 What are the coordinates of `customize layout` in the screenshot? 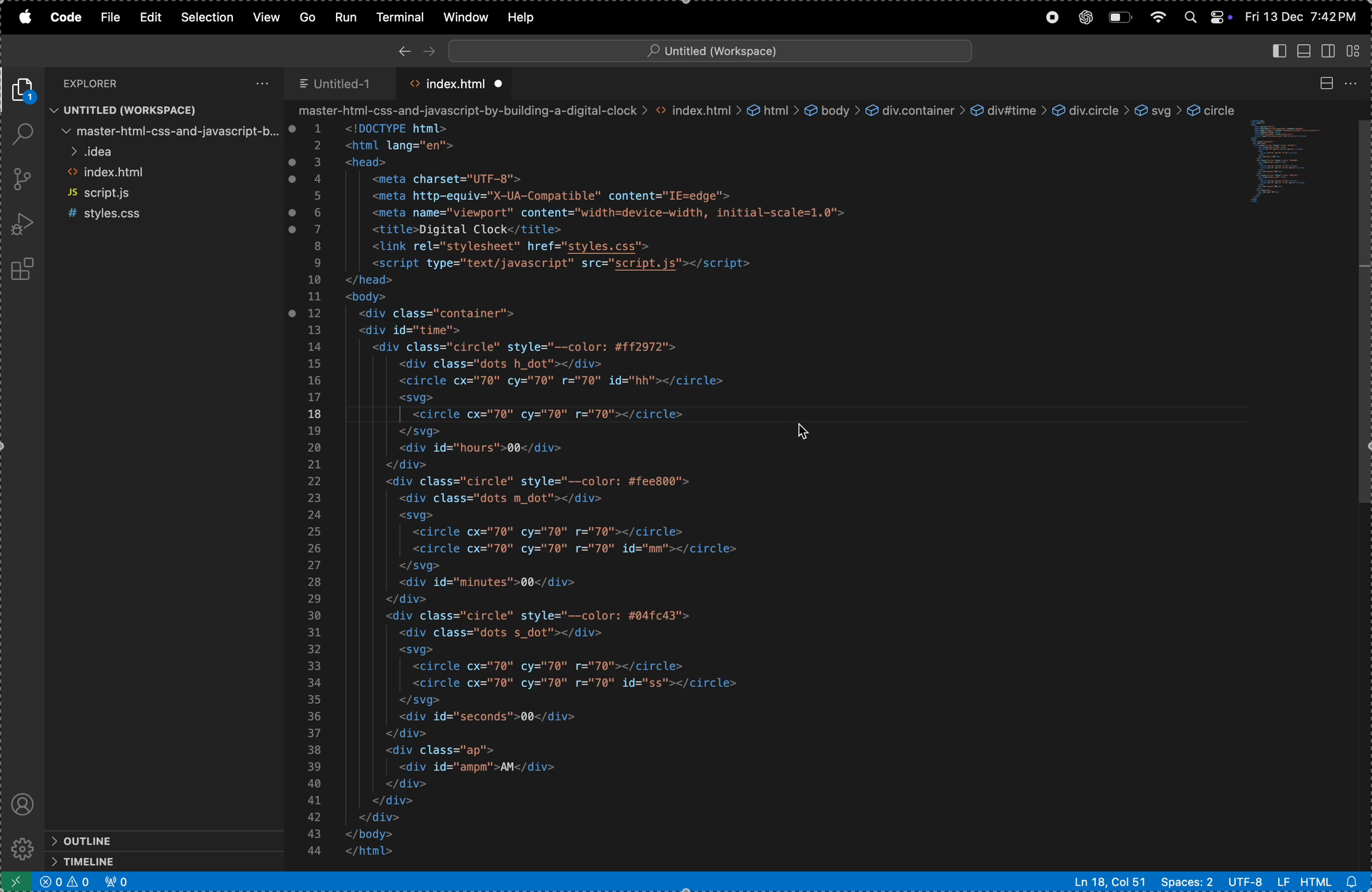 It's located at (1358, 49).